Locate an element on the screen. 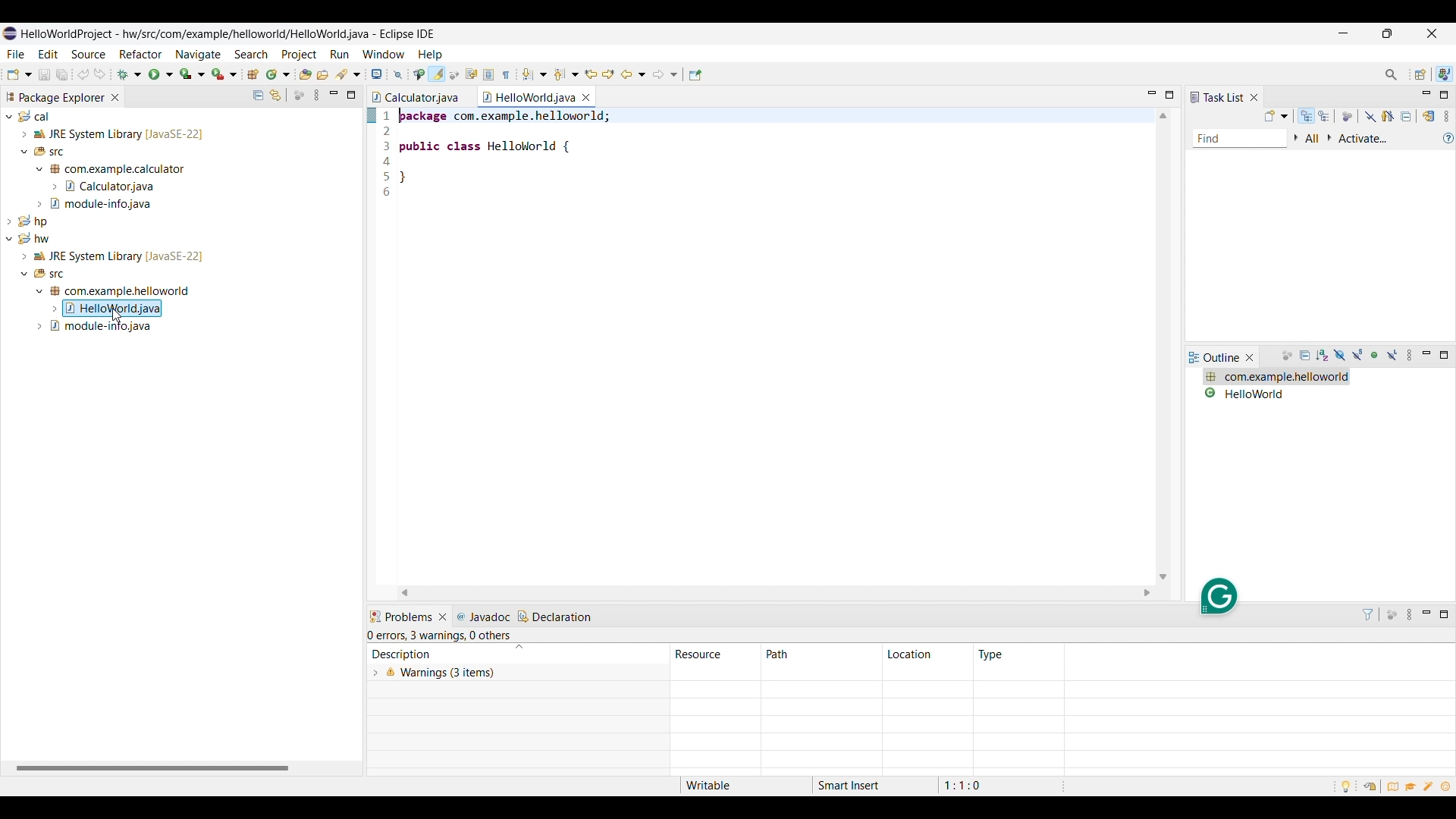  Location is located at coordinates (927, 654).